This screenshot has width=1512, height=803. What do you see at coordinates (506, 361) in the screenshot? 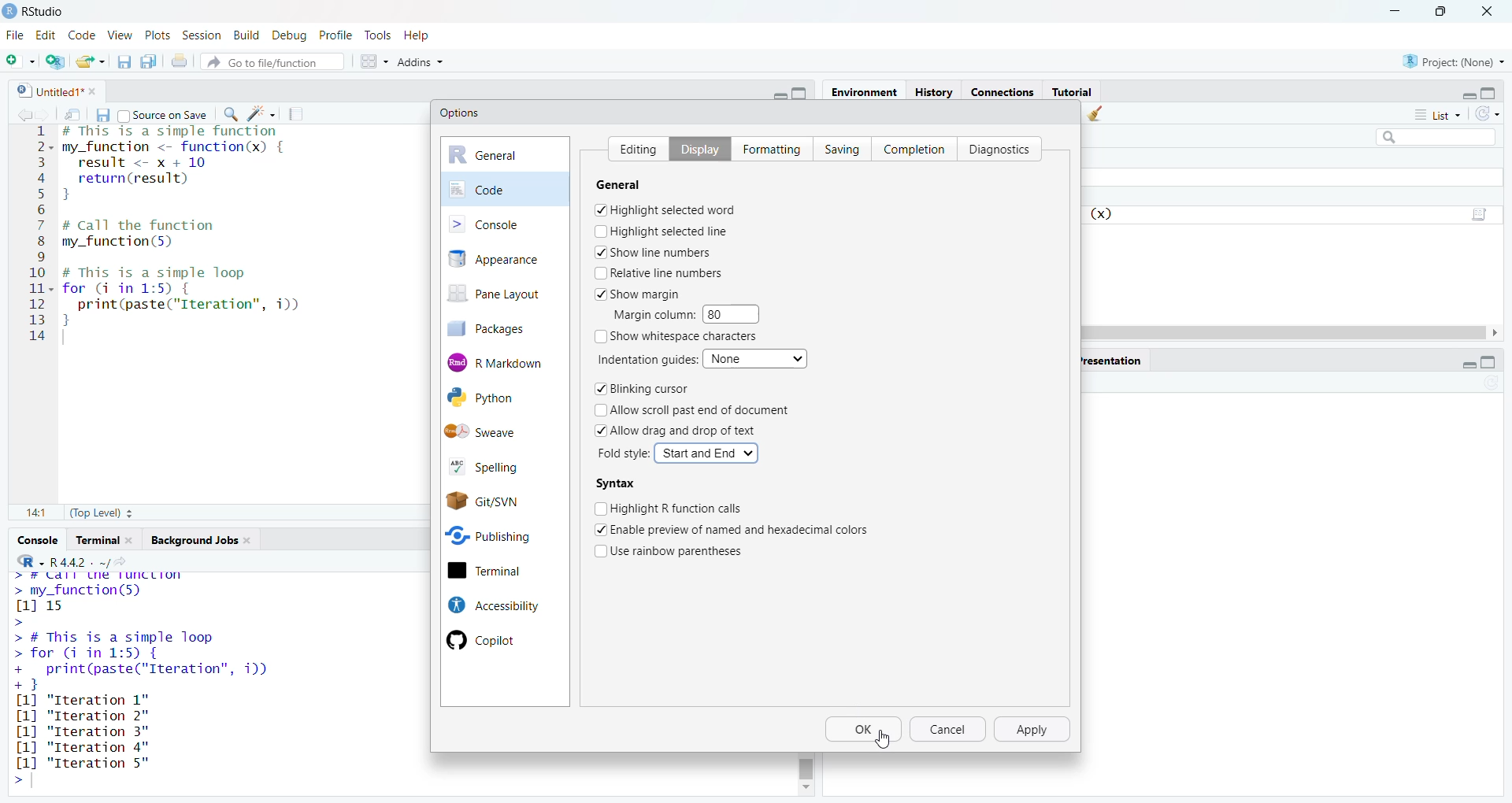
I see `R Markdown` at bounding box center [506, 361].